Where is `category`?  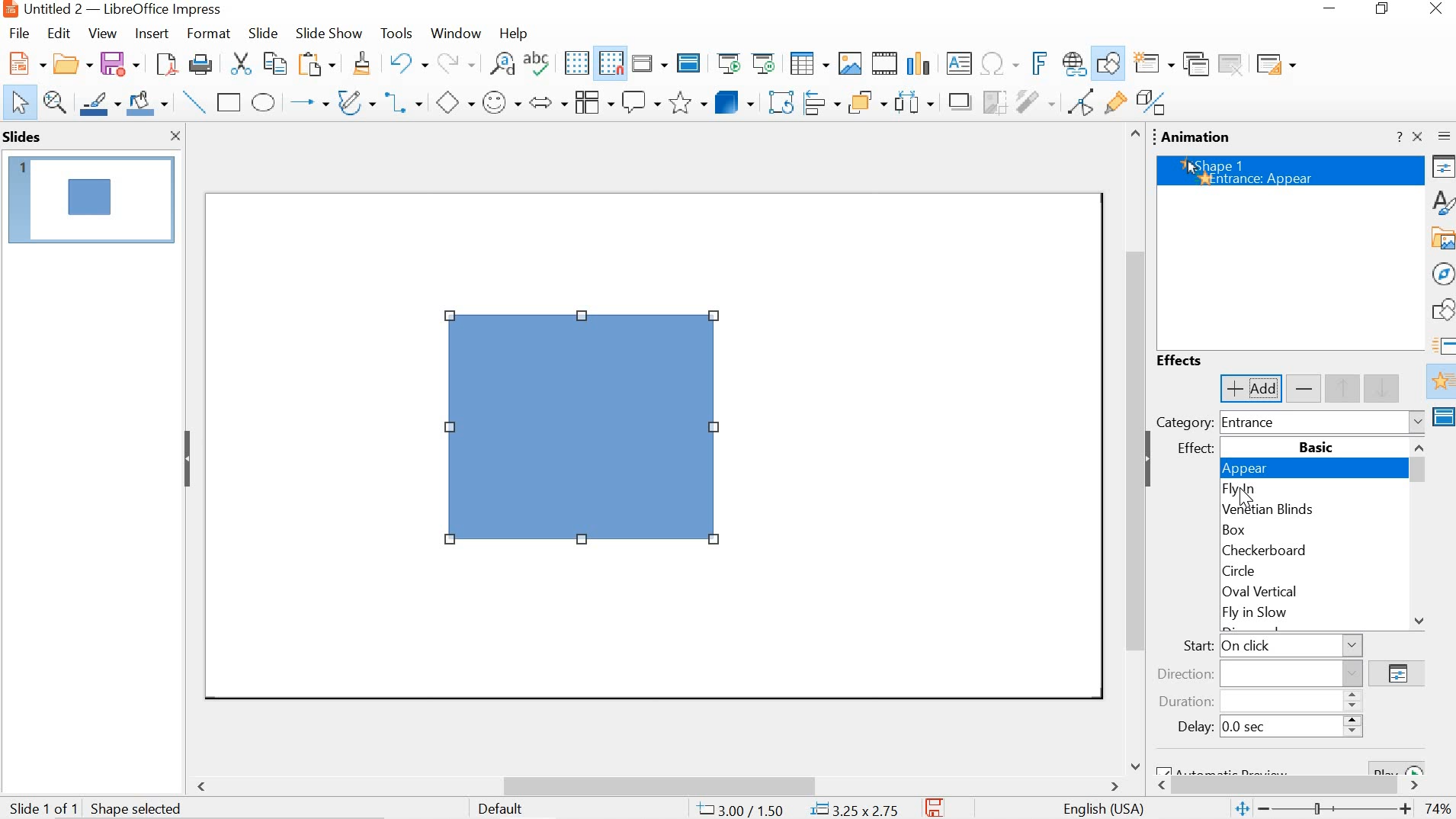 category is located at coordinates (1184, 423).